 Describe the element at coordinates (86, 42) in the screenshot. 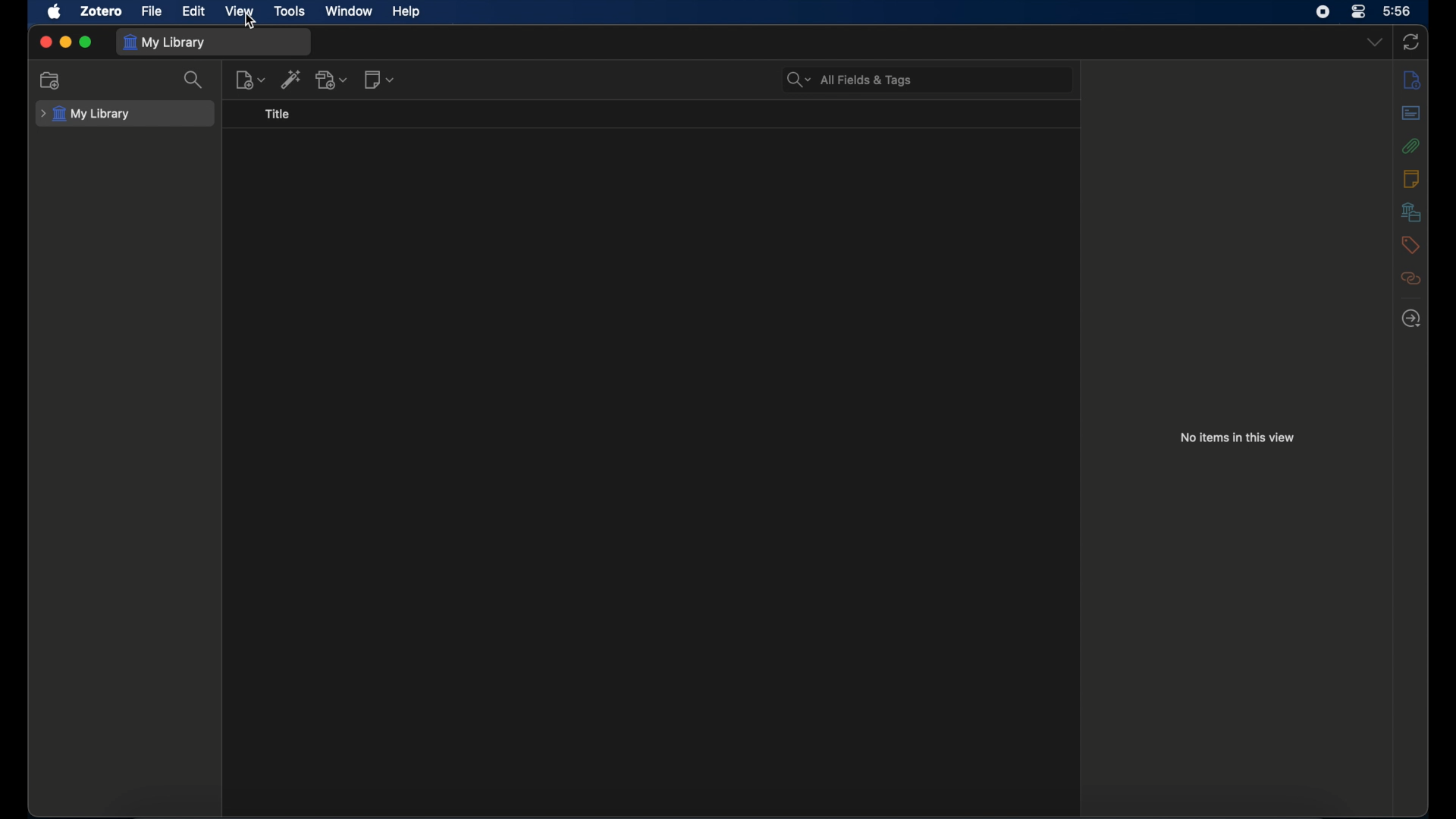

I see `maximize` at that location.